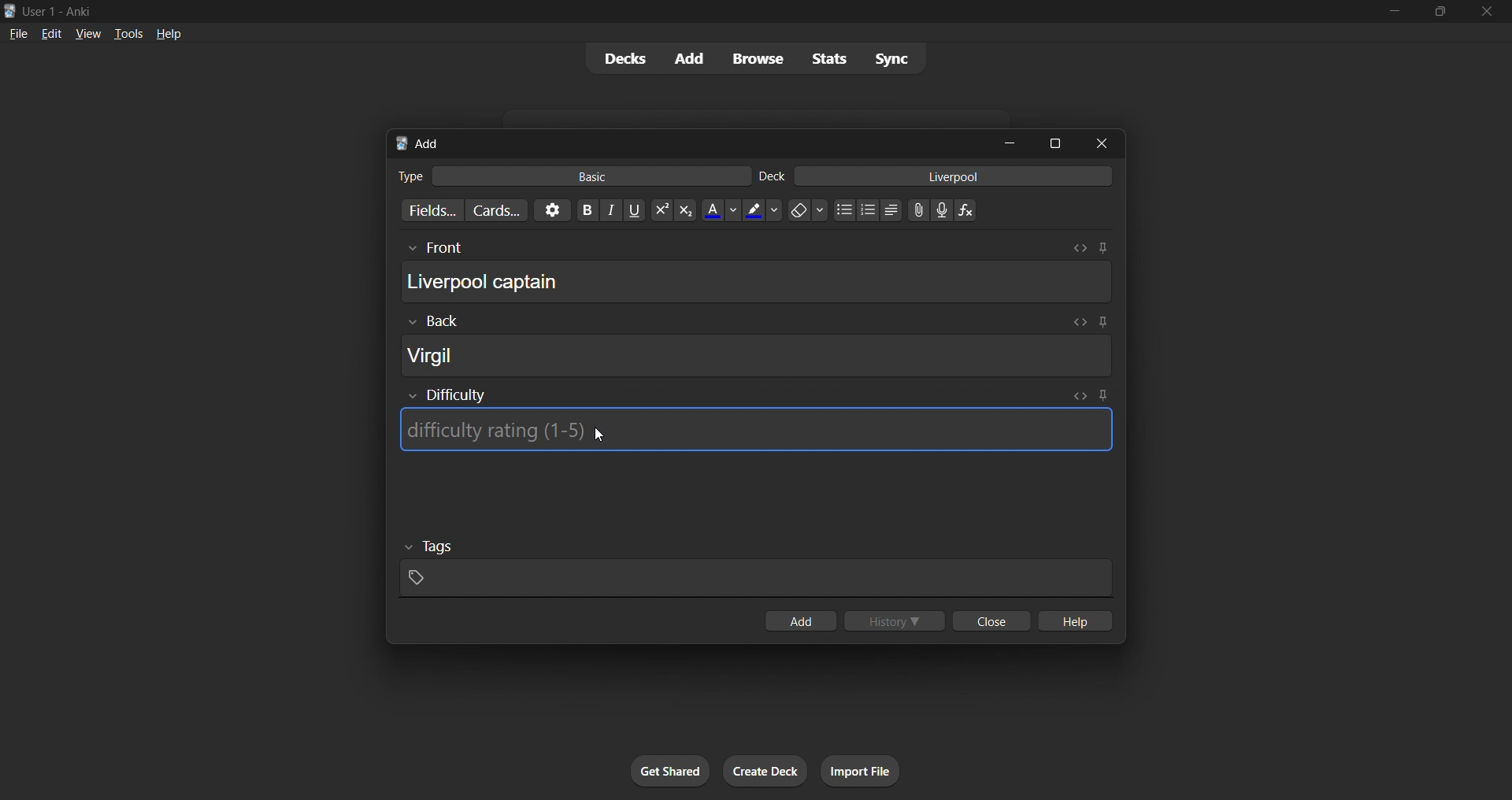 The image size is (1512, 800). I want to click on customize fields, so click(429, 210).